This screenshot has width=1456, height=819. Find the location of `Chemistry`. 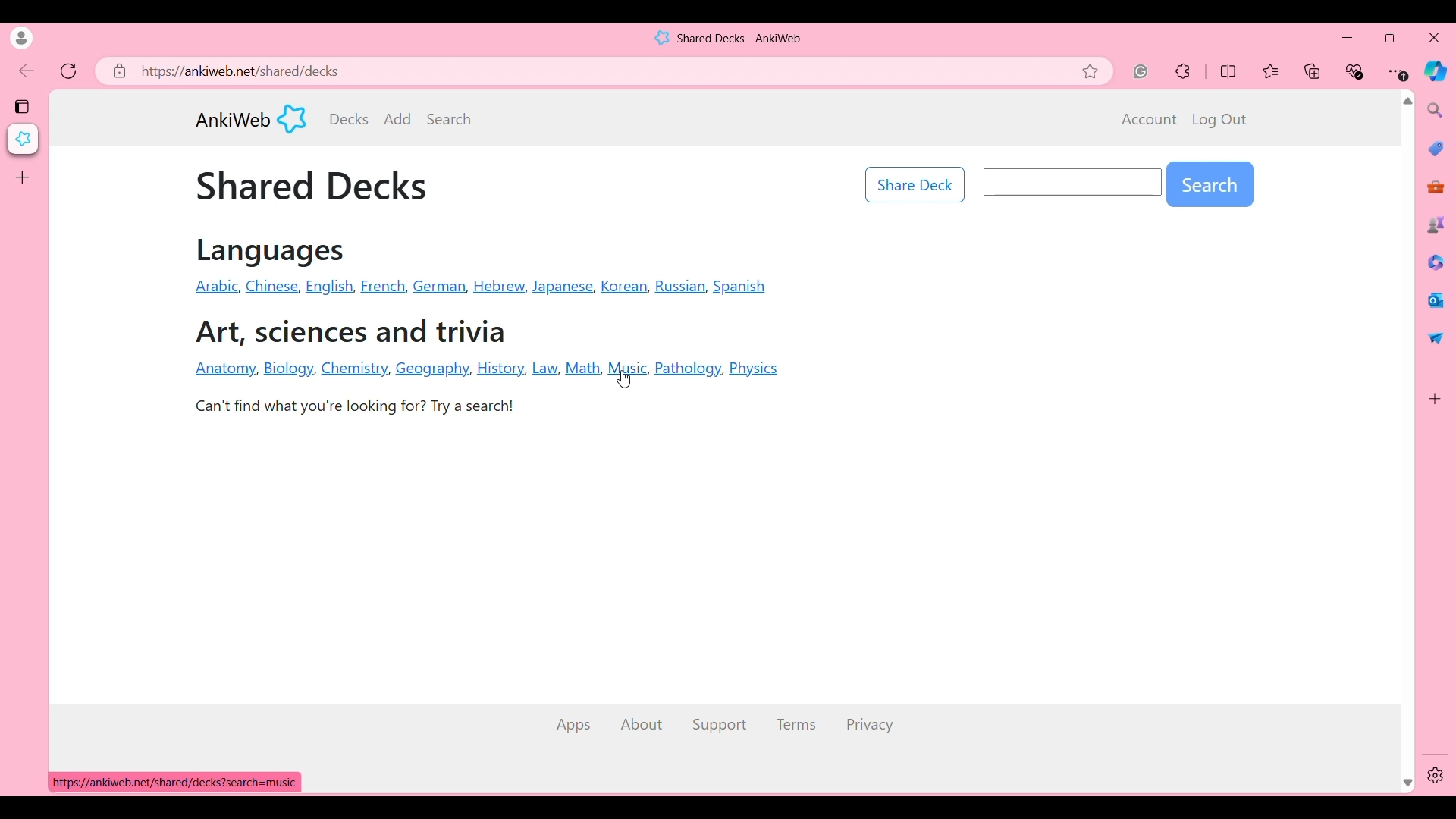

Chemistry is located at coordinates (352, 369).